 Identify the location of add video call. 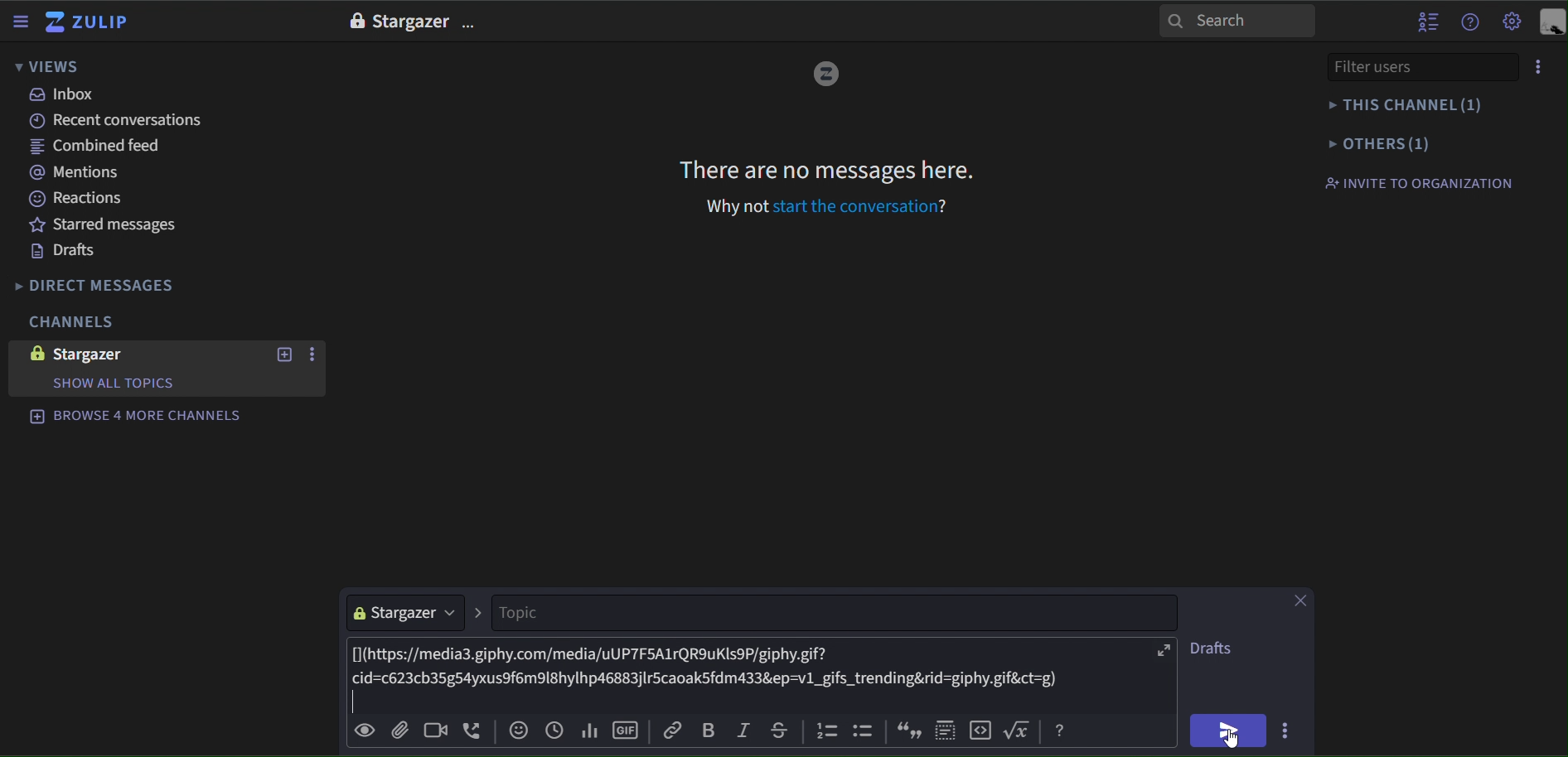
(432, 731).